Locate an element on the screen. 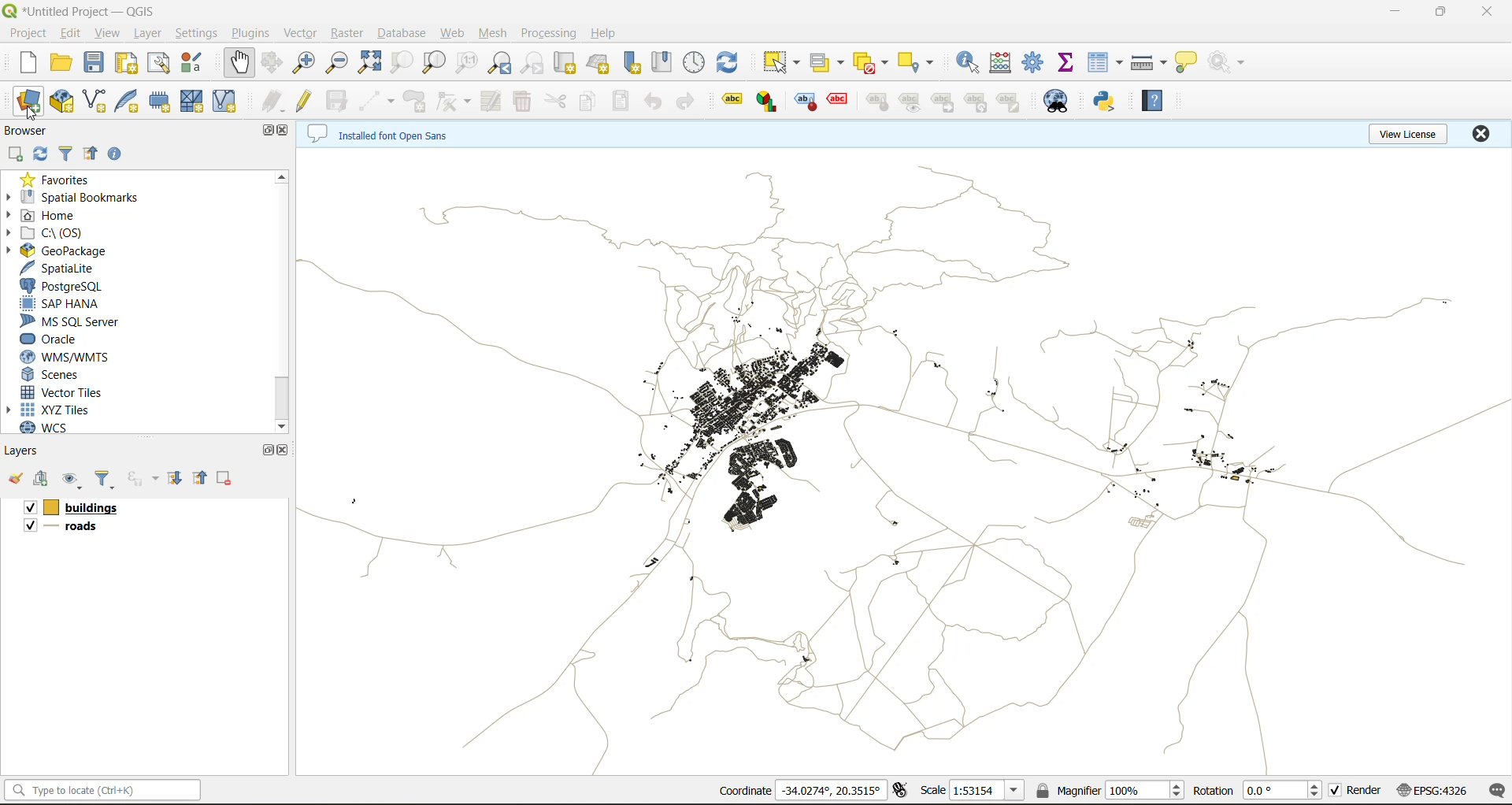 This screenshot has width=1512, height=805. favorites is located at coordinates (61, 179).